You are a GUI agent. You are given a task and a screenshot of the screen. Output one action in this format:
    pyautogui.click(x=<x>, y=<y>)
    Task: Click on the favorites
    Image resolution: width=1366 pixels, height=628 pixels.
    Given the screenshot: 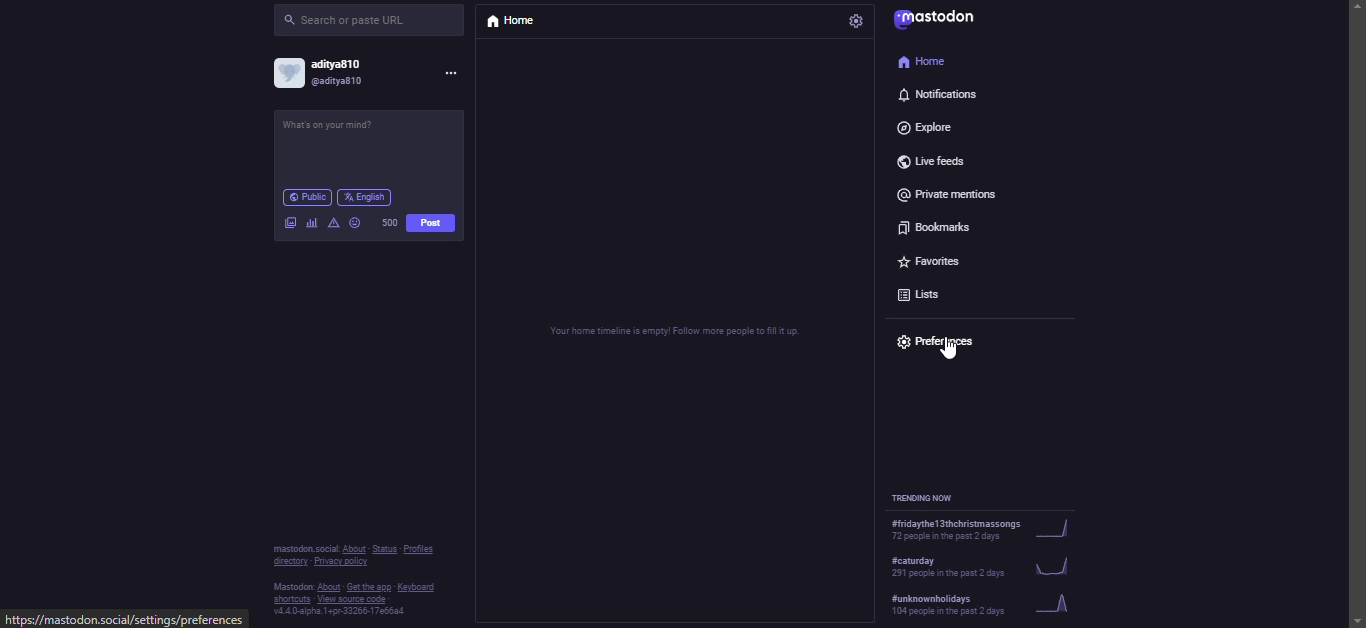 What is the action you would take?
    pyautogui.click(x=933, y=258)
    